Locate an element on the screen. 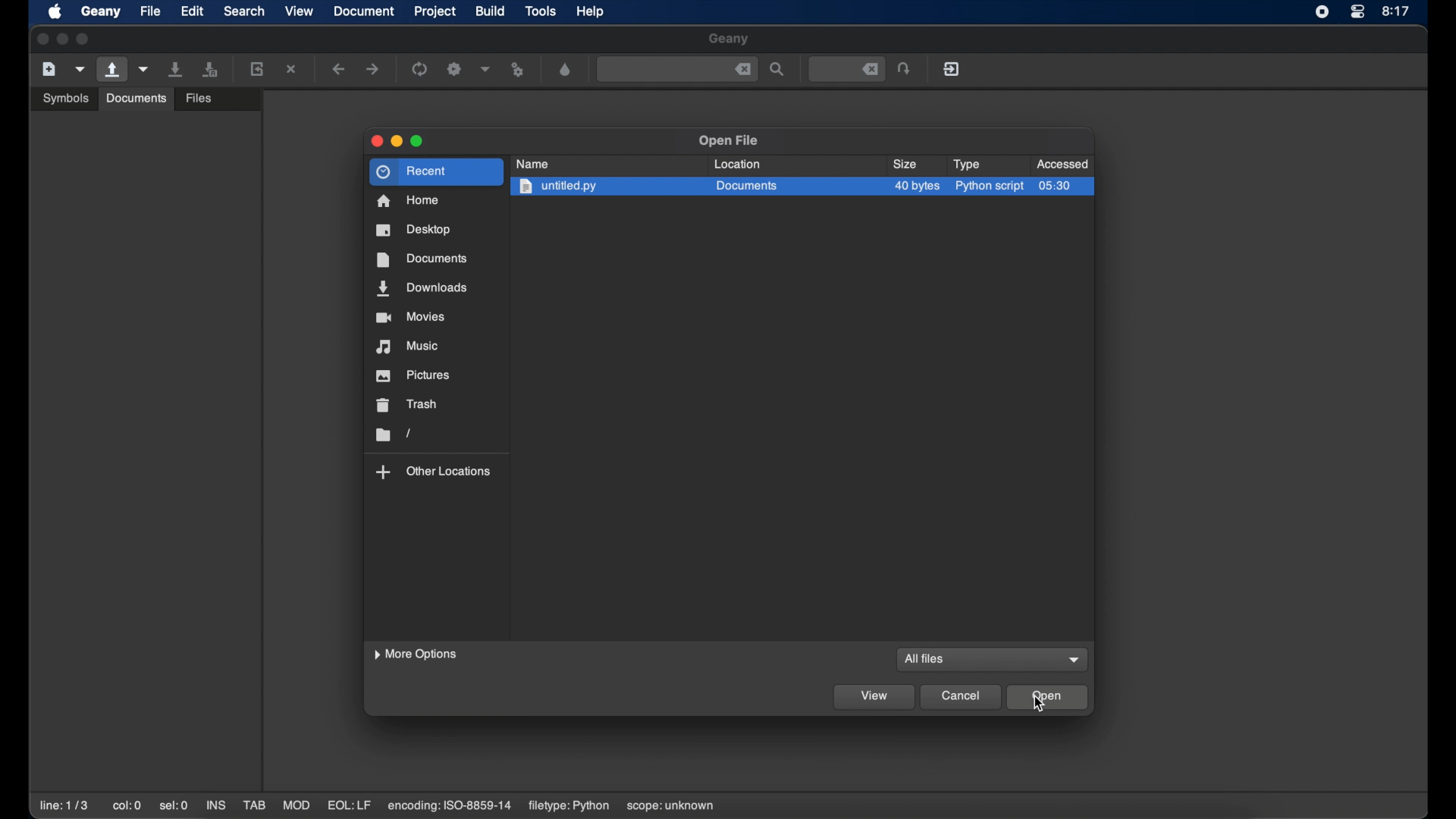 This screenshot has width=1456, height=819. build the current file is located at coordinates (454, 69).